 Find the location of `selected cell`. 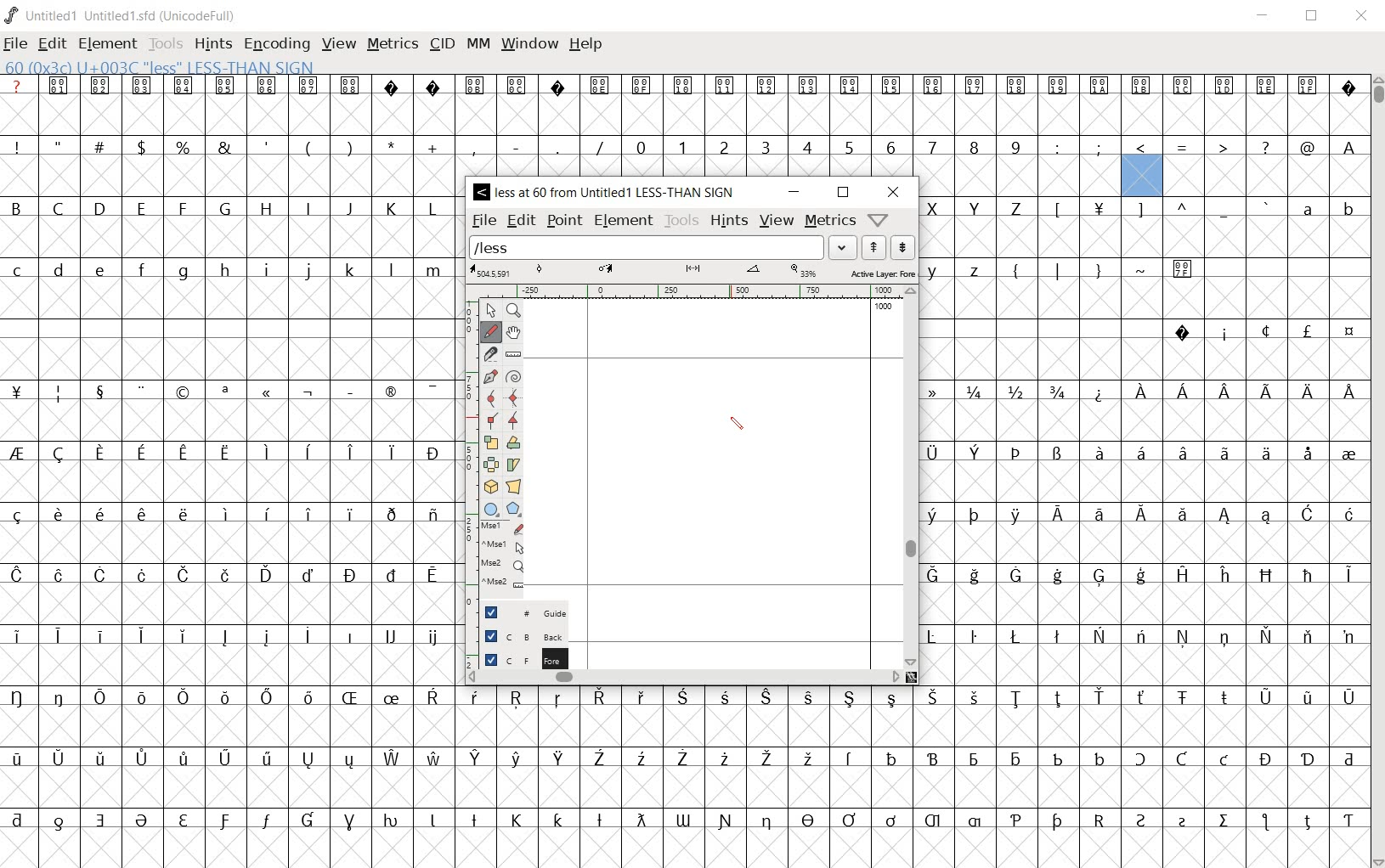

selected cell is located at coordinates (1141, 178).